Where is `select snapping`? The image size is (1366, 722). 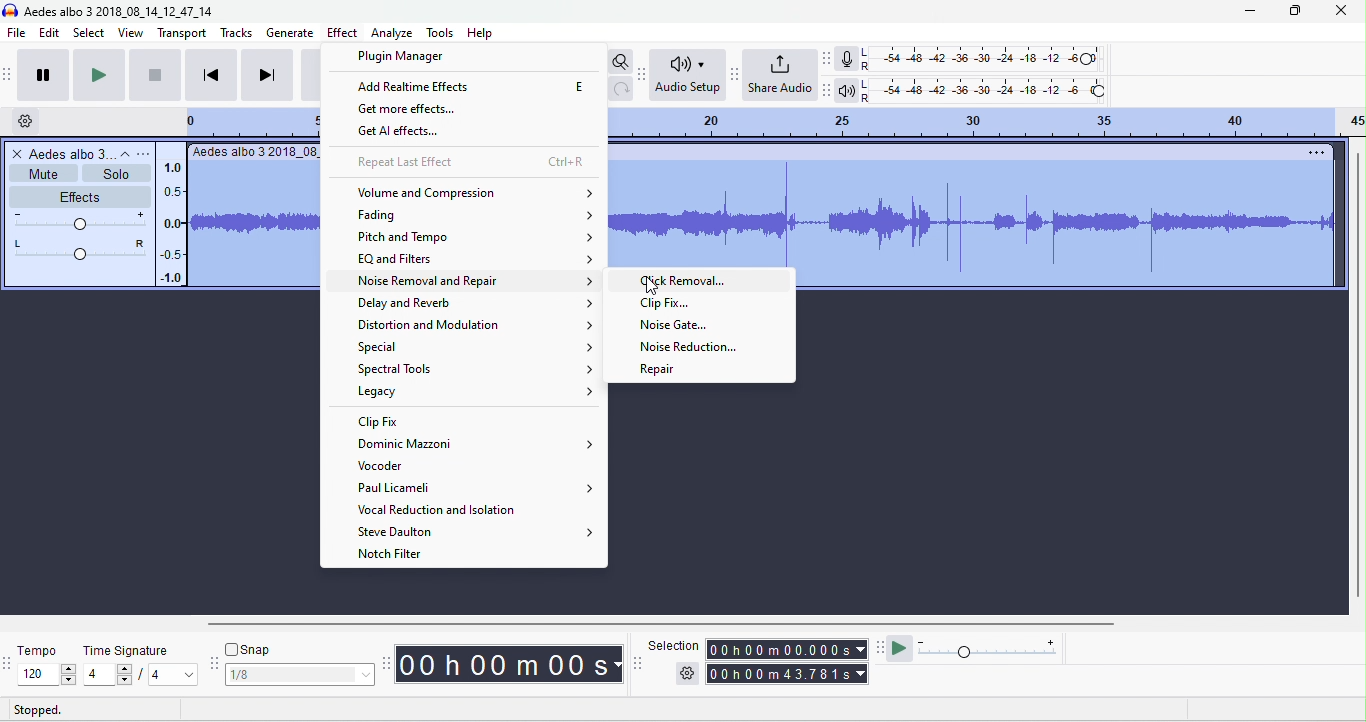 select snapping is located at coordinates (299, 673).